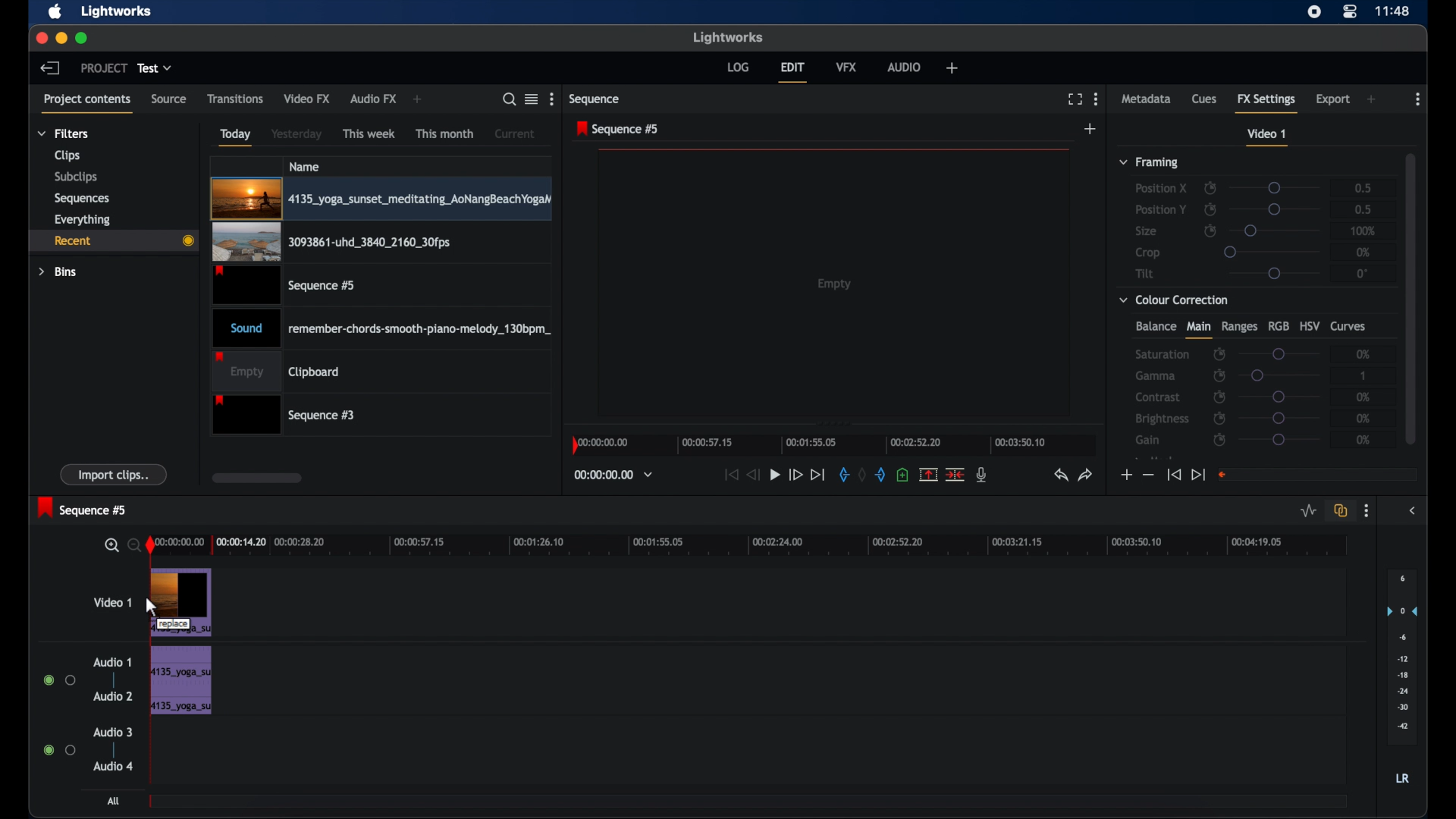  Describe the element at coordinates (1198, 474) in the screenshot. I see `jump to end` at that location.